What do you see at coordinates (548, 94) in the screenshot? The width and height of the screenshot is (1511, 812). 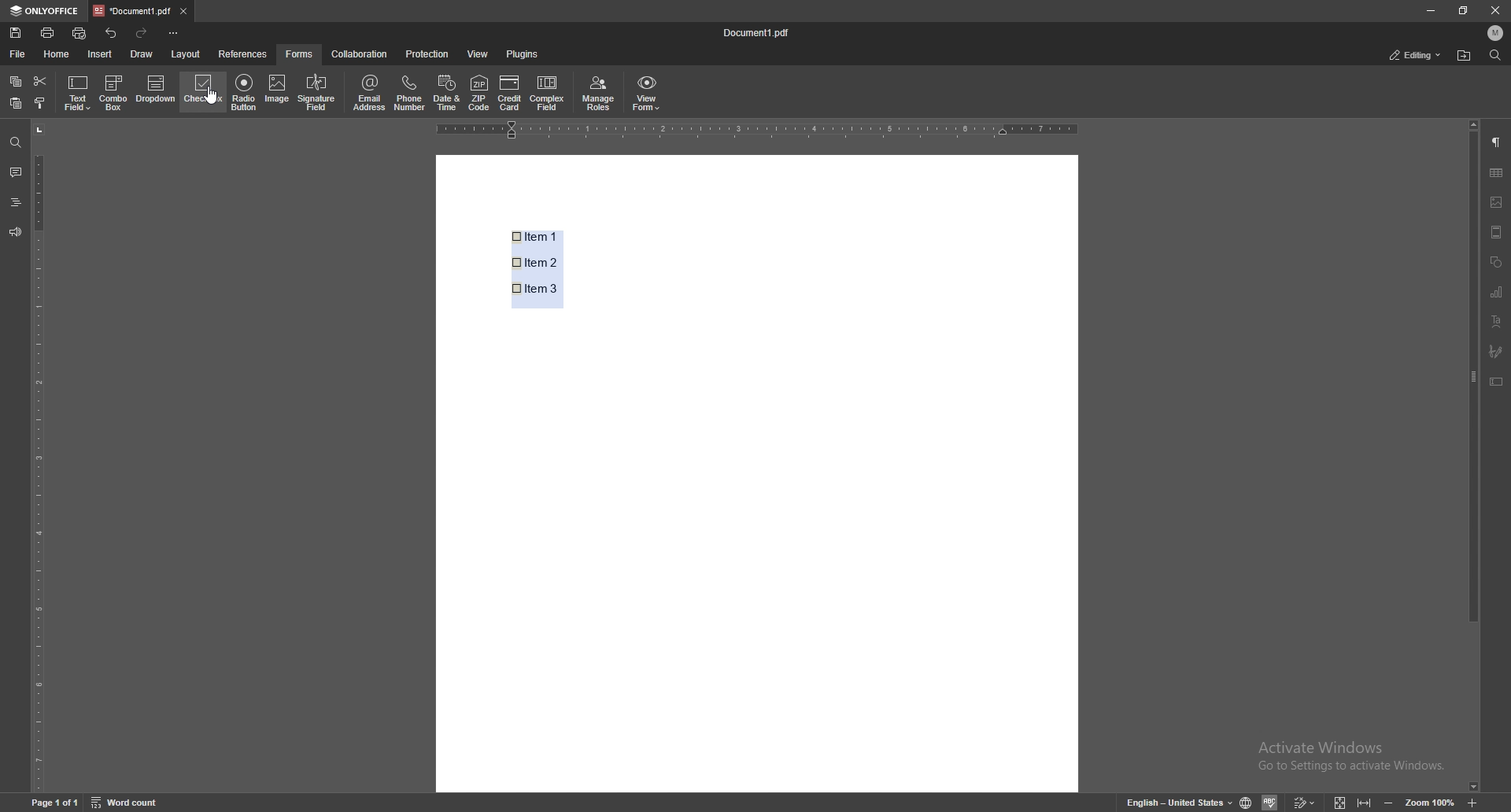 I see `complex field` at bounding box center [548, 94].